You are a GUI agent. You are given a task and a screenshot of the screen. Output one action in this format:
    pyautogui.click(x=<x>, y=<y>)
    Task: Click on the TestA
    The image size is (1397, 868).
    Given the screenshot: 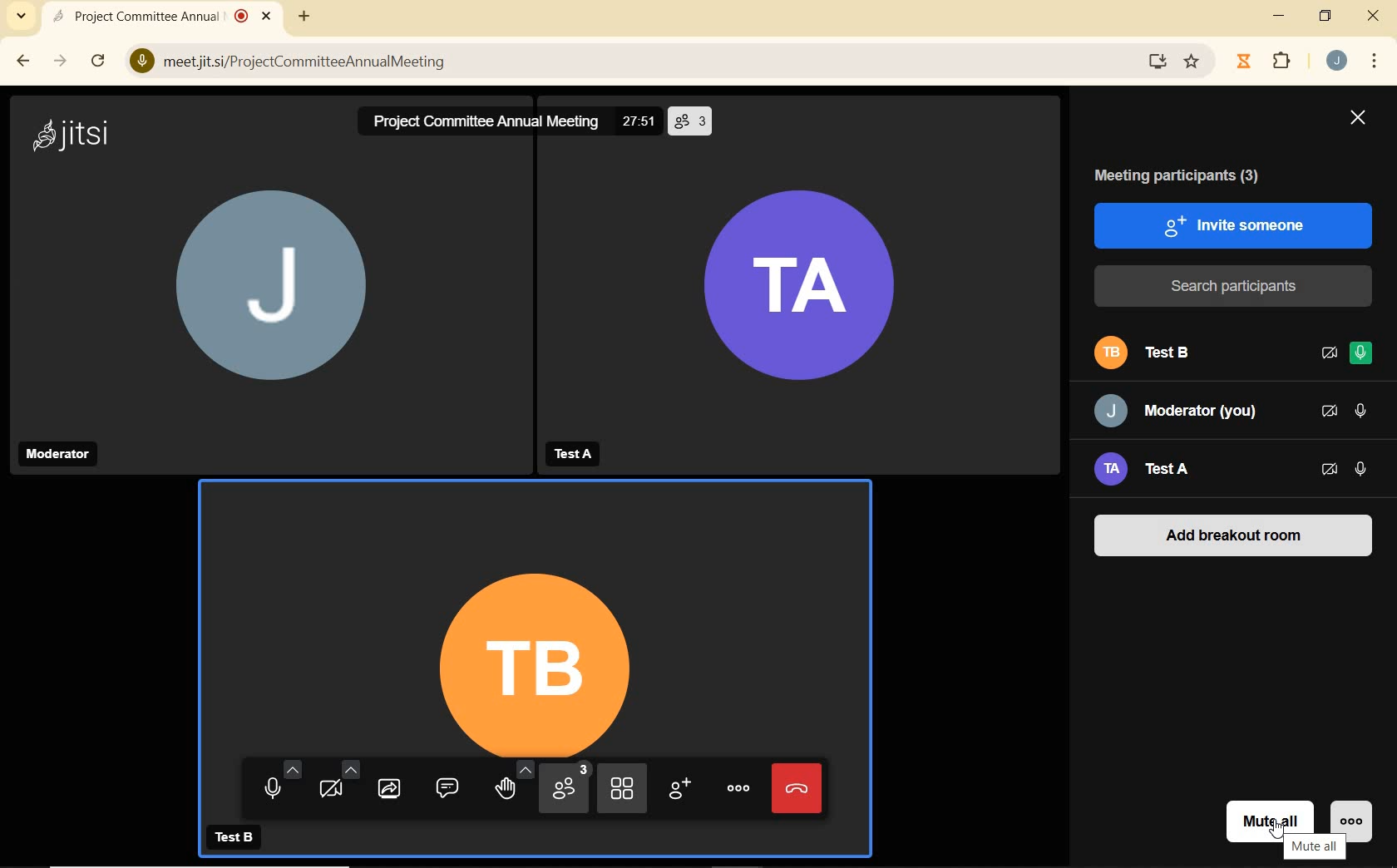 What is the action you would take?
    pyautogui.click(x=570, y=451)
    